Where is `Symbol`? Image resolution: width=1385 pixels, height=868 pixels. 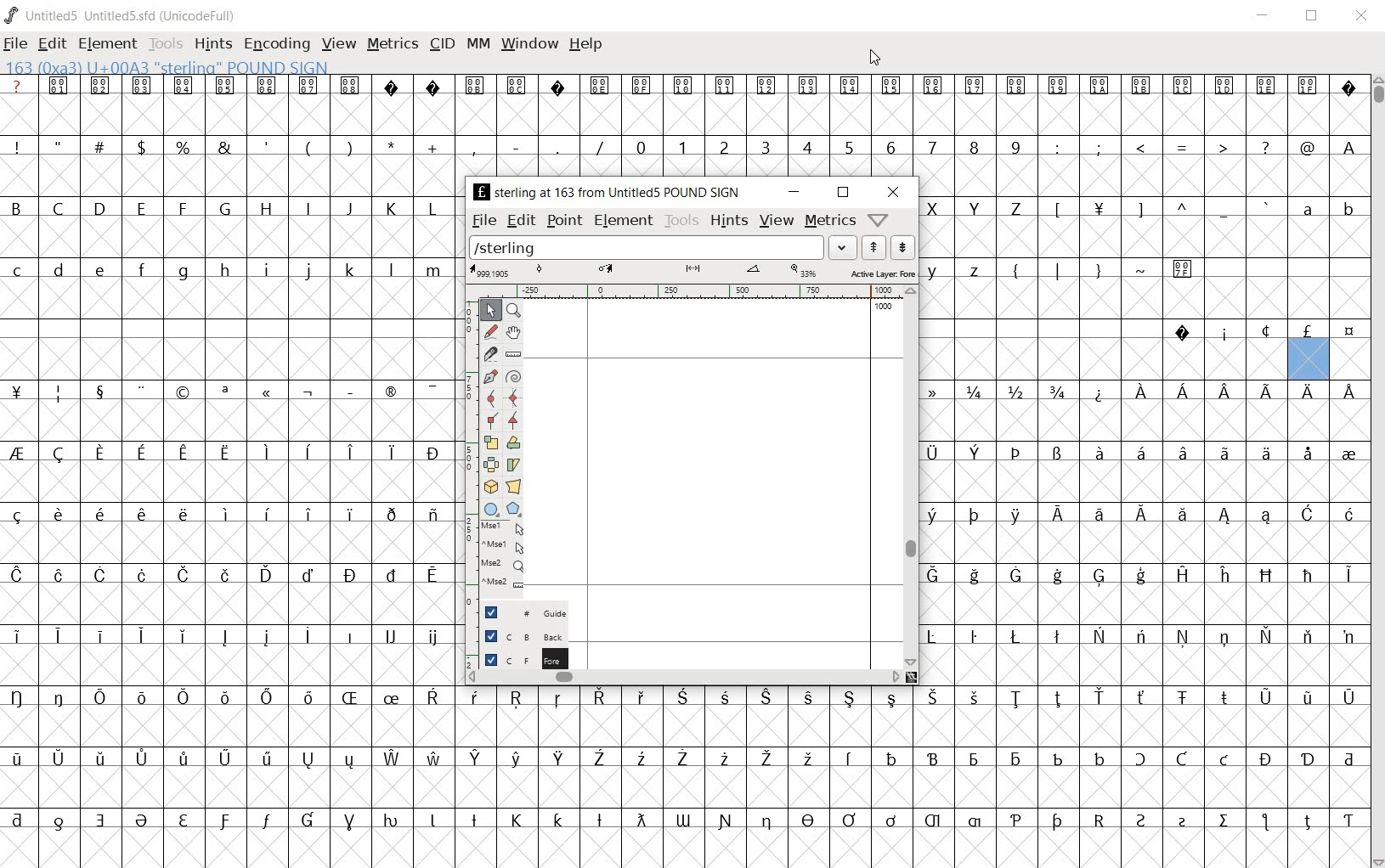 Symbol is located at coordinates (350, 759).